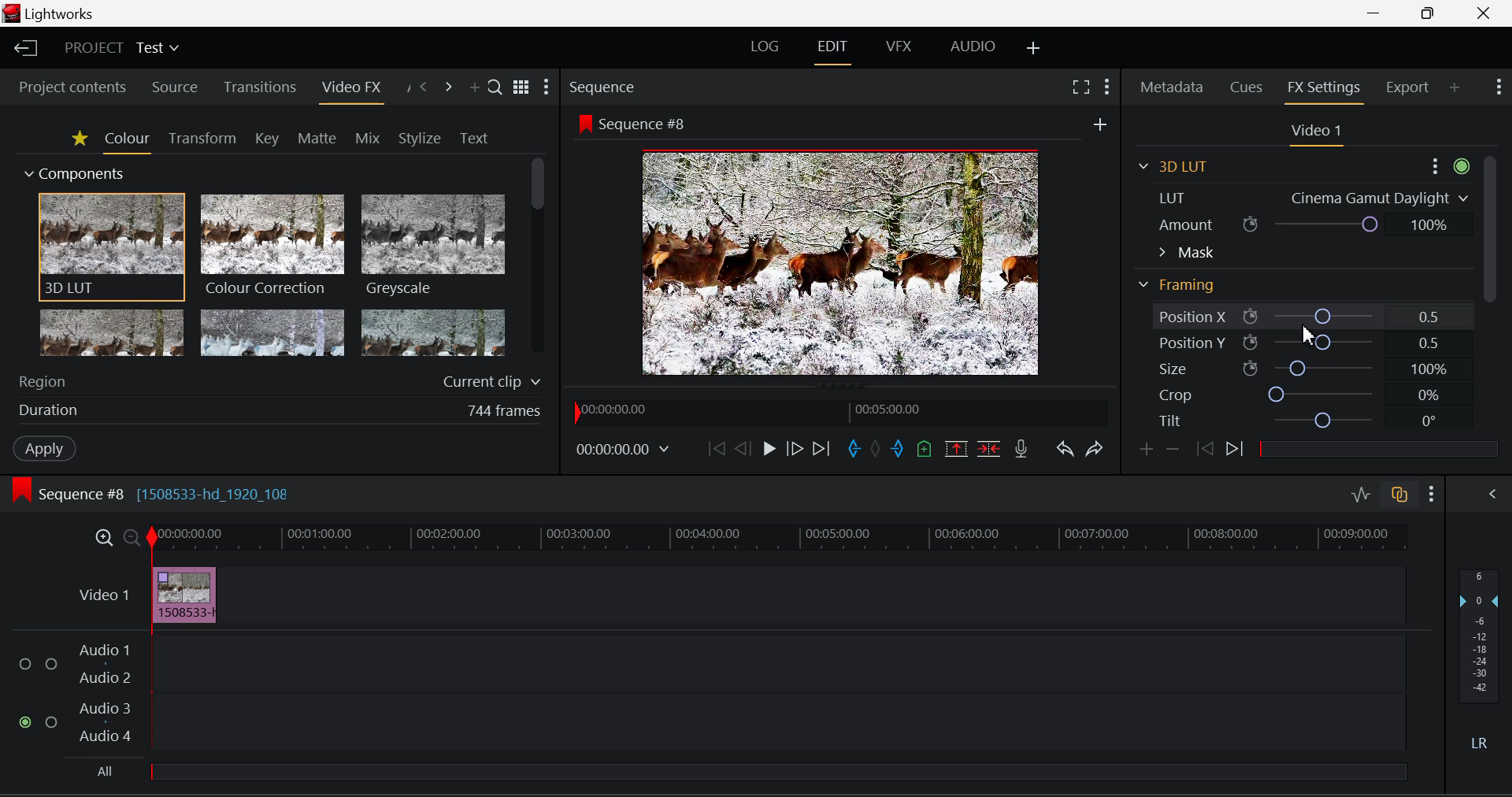 The image size is (1512, 797). What do you see at coordinates (52, 13) in the screenshot?
I see `Window Title` at bounding box center [52, 13].